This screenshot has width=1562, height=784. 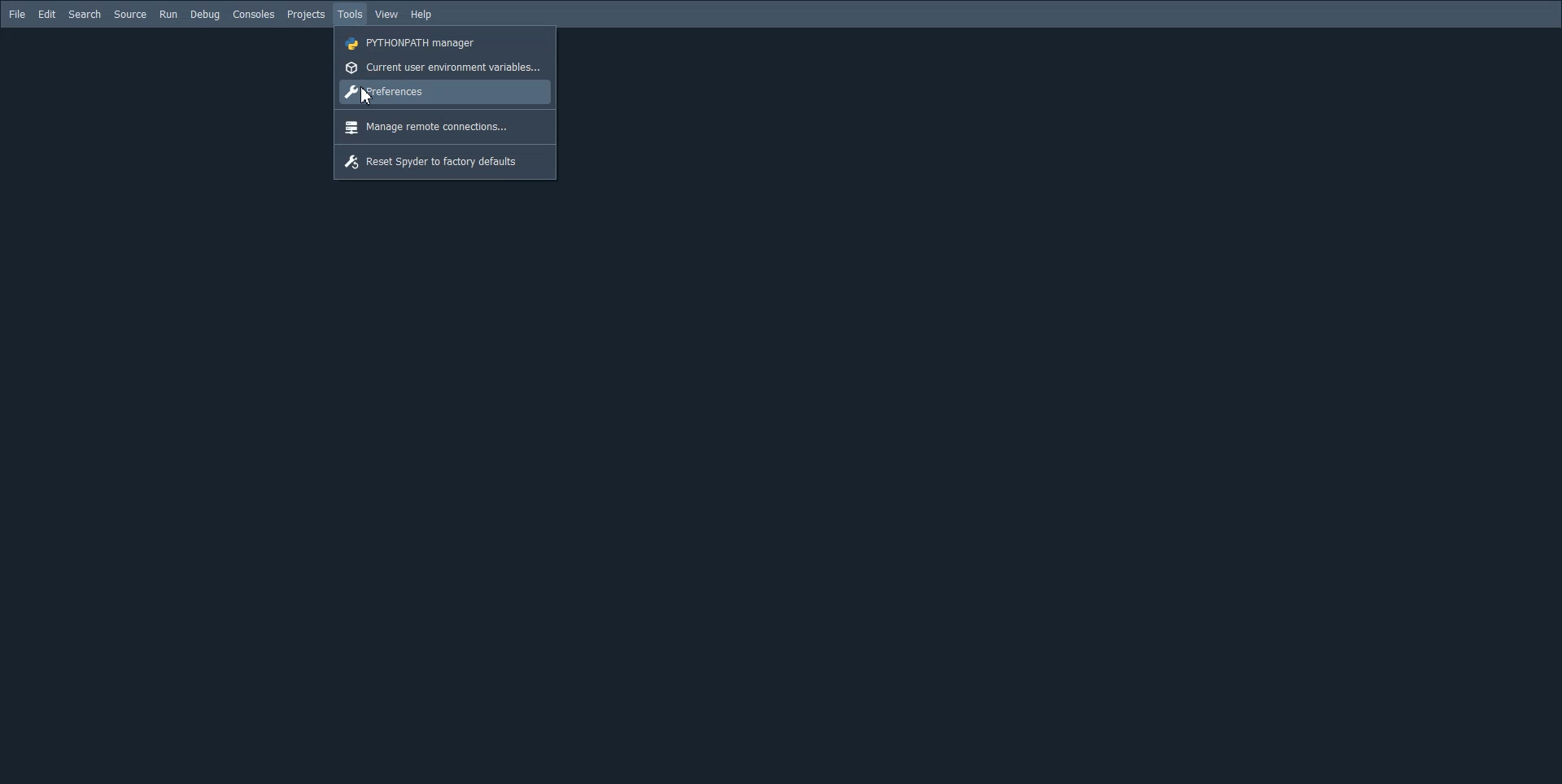 What do you see at coordinates (422, 15) in the screenshot?
I see `Help` at bounding box center [422, 15].